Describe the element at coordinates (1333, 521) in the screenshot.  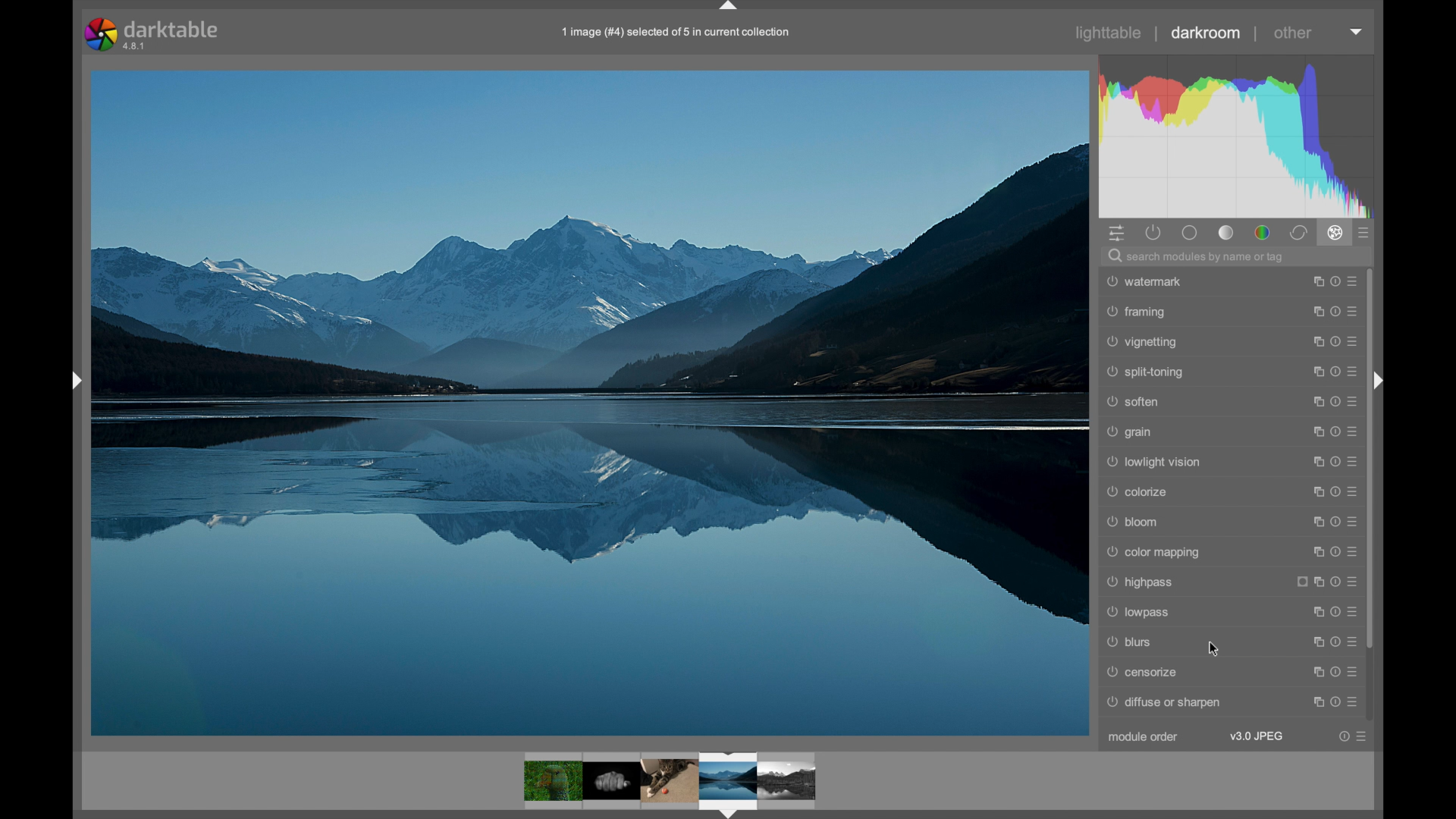
I see `help` at that location.